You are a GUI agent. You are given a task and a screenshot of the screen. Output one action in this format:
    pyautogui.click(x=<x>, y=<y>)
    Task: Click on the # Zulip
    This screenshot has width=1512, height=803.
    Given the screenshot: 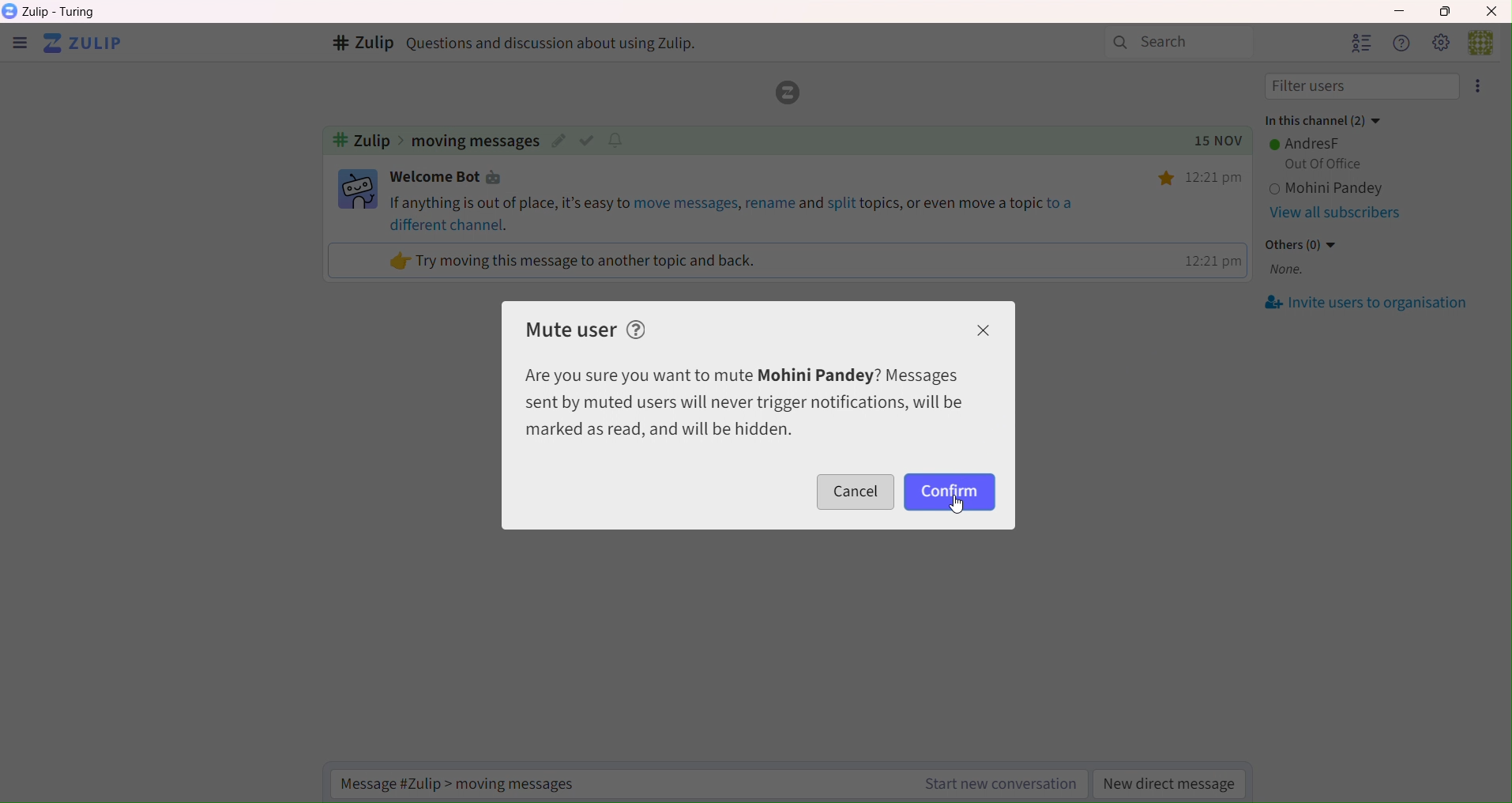 What is the action you would take?
    pyautogui.click(x=361, y=44)
    